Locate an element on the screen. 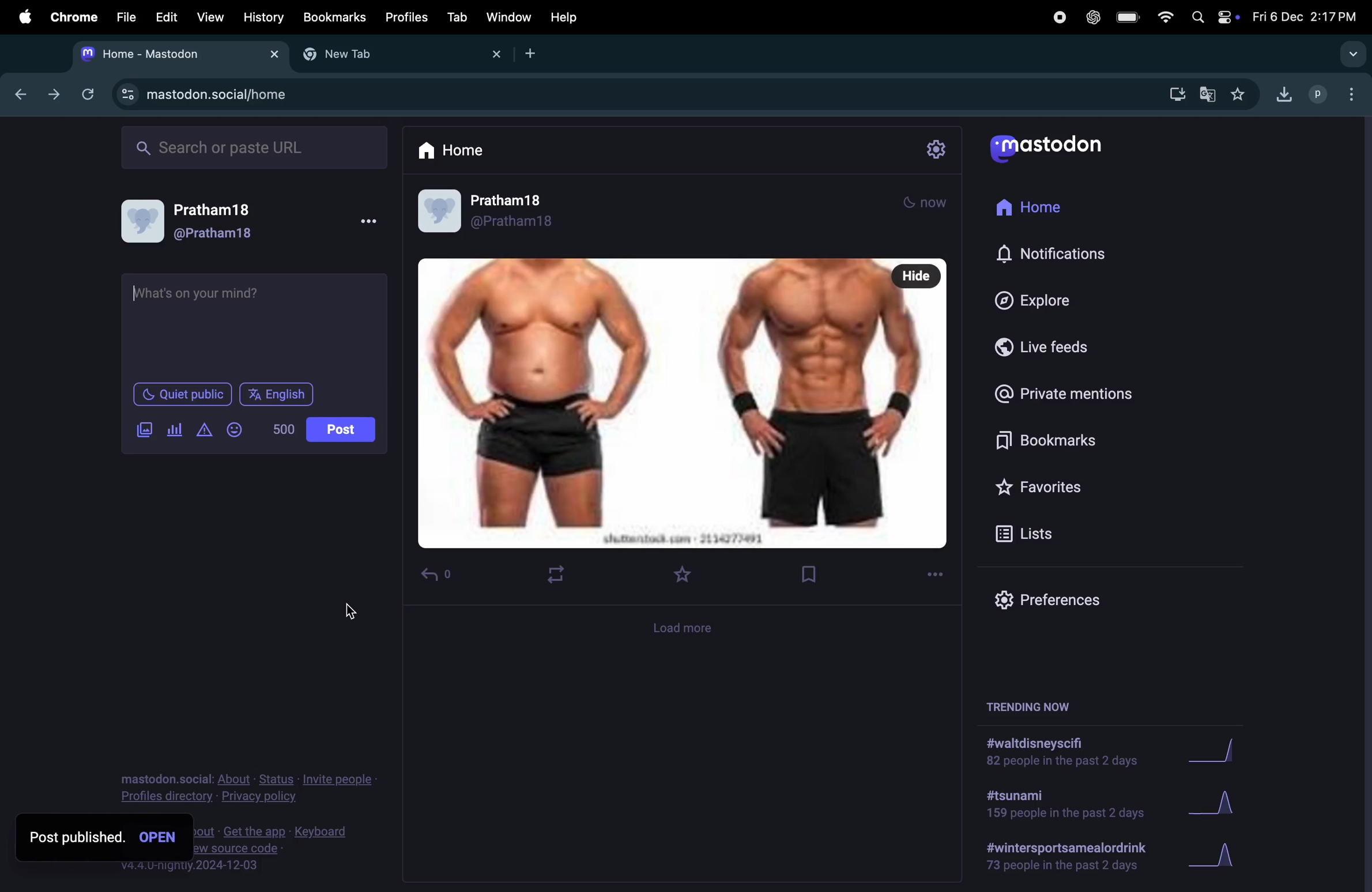  add image is located at coordinates (147, 432).